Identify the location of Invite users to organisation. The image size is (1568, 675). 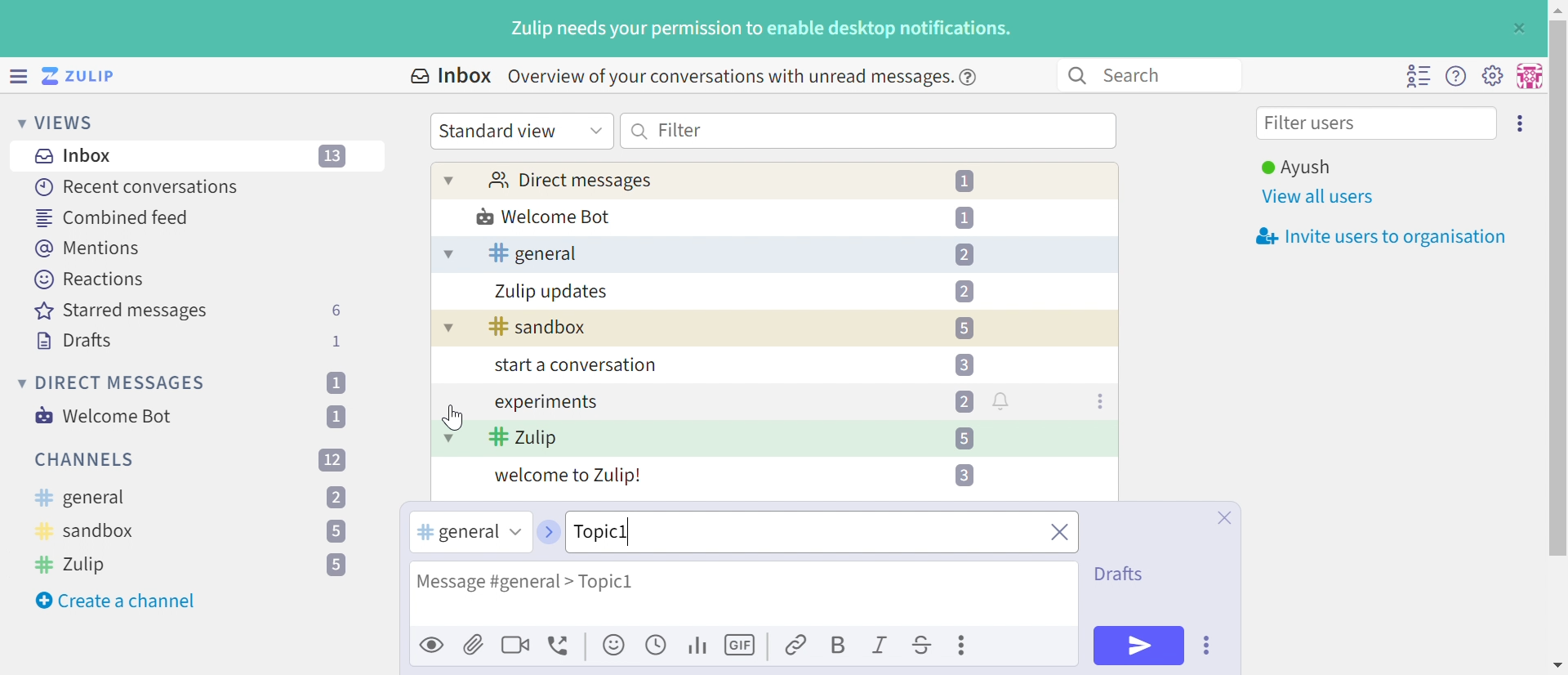
(1376, 238).